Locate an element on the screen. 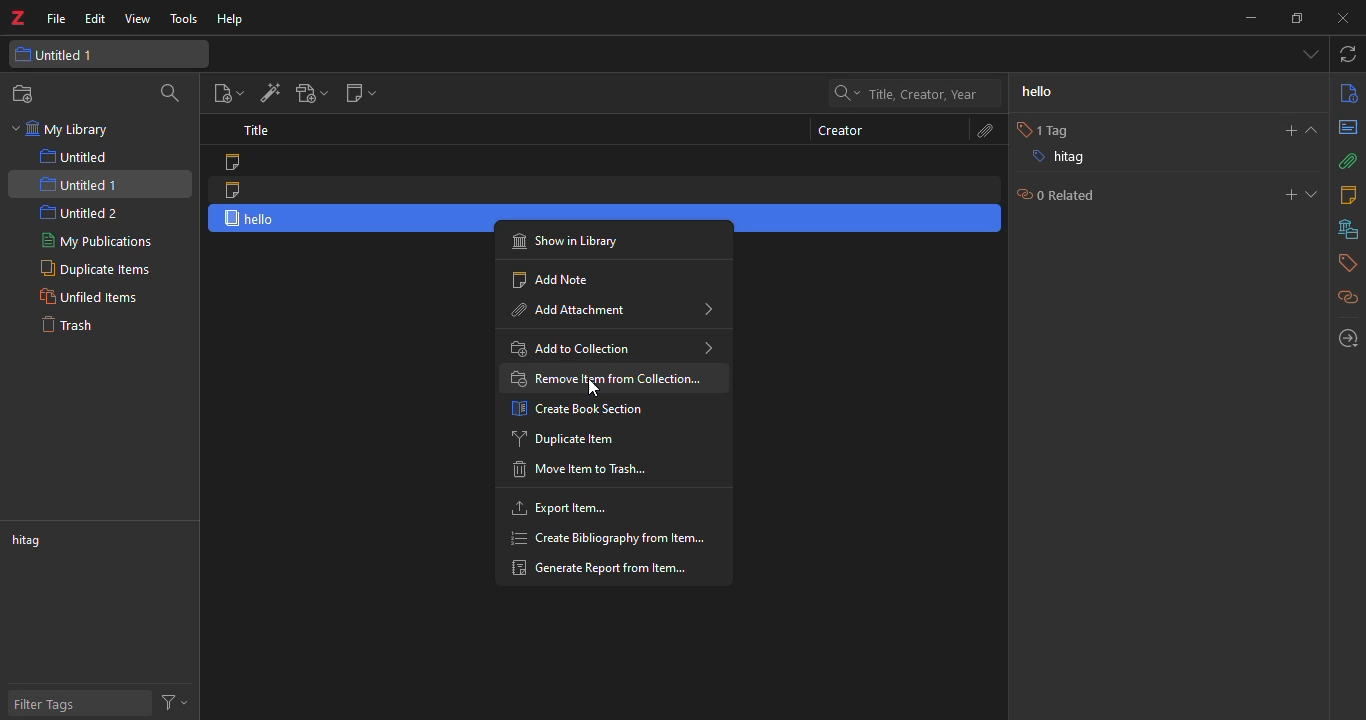 The image size is (1366, 720). hello is located at coordinates (255, 218).